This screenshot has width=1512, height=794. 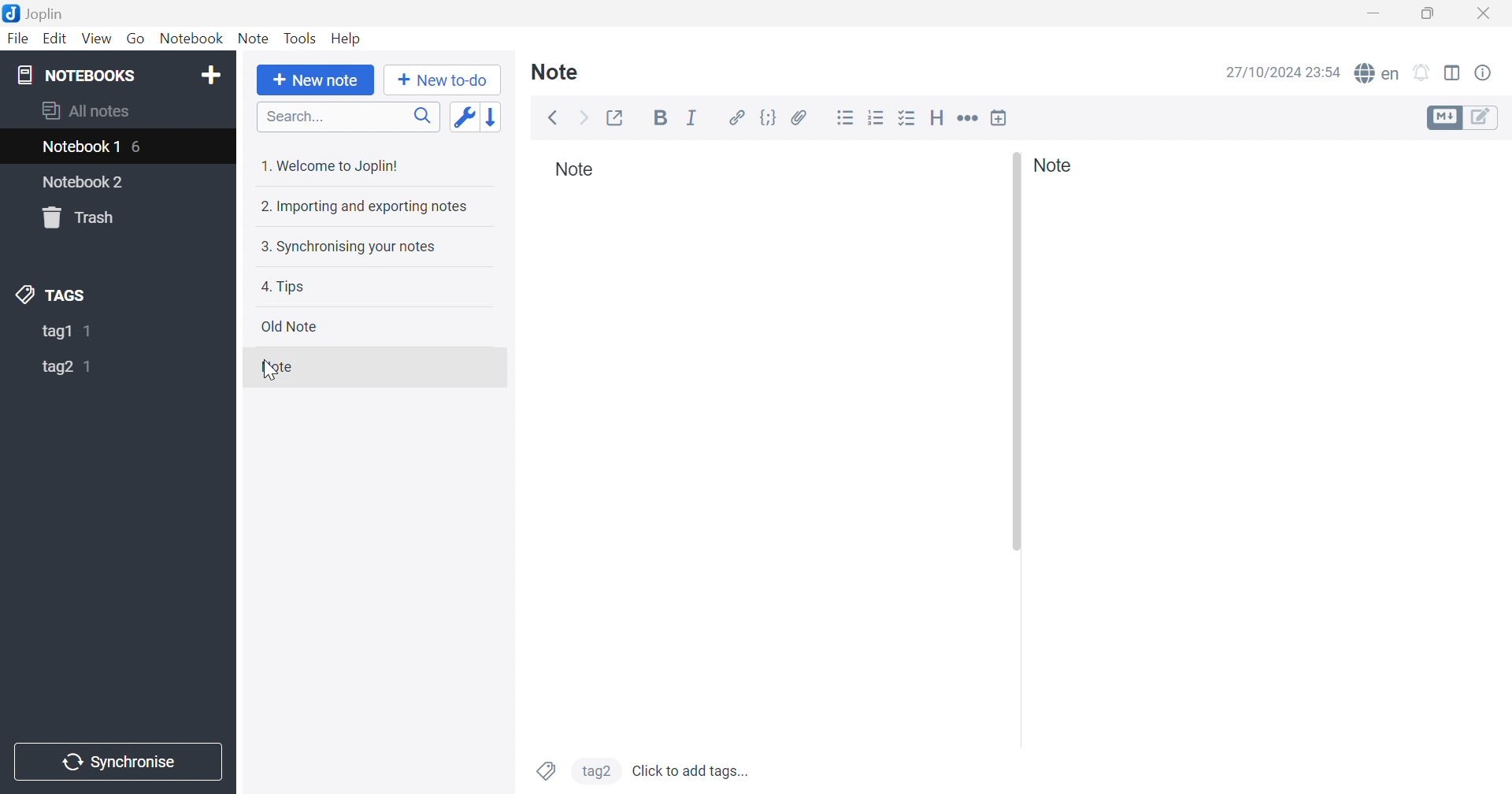 I want to click on Notebook, so click(x=188, y=39).